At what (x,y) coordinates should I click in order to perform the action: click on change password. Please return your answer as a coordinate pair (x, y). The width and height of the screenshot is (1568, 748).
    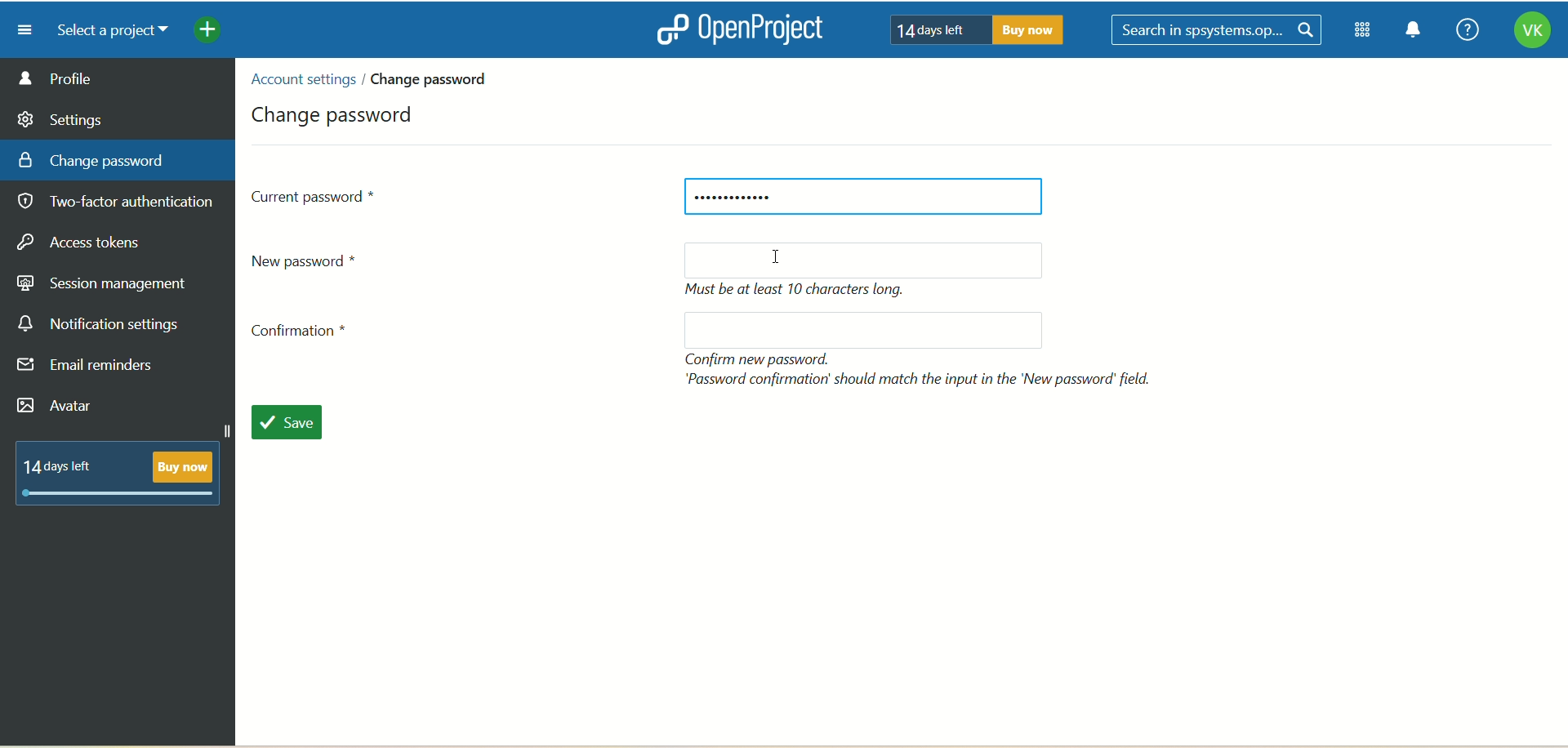
    Looking at the image, I should click on (91, 159).